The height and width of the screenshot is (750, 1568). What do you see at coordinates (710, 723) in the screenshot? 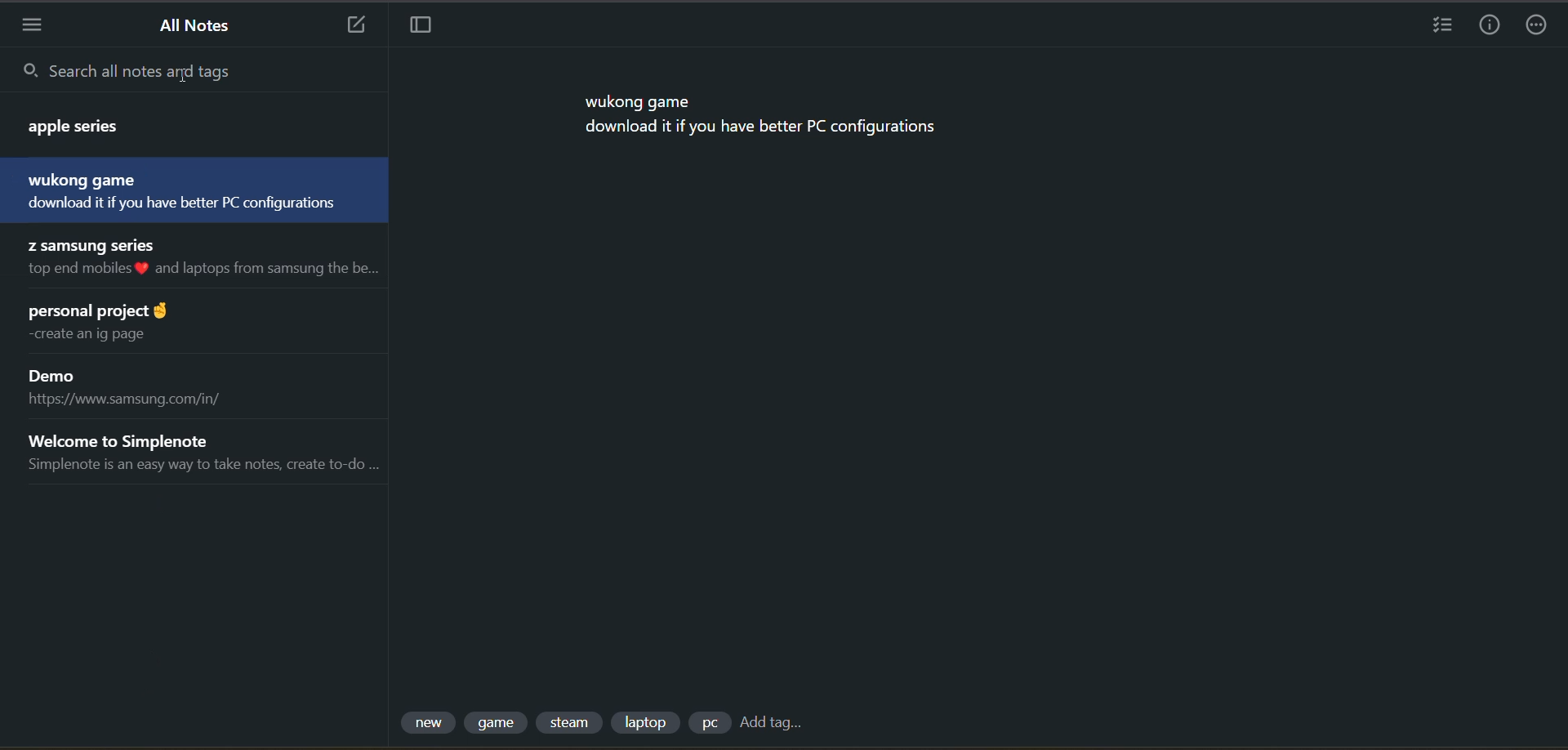
I see `tag 5` at bounding box center [710, 723].